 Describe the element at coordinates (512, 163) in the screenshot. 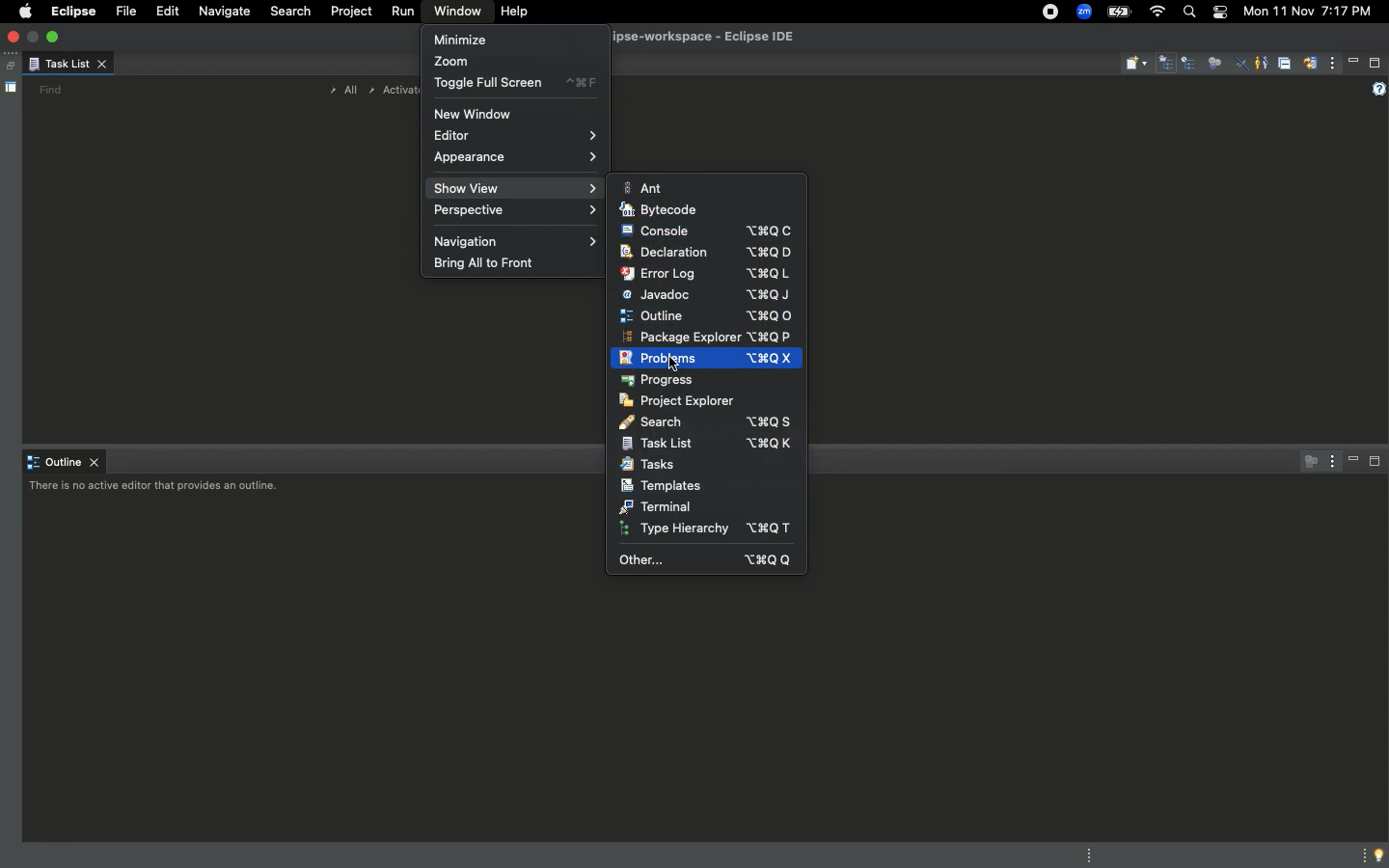

I see `appearance` at that location.